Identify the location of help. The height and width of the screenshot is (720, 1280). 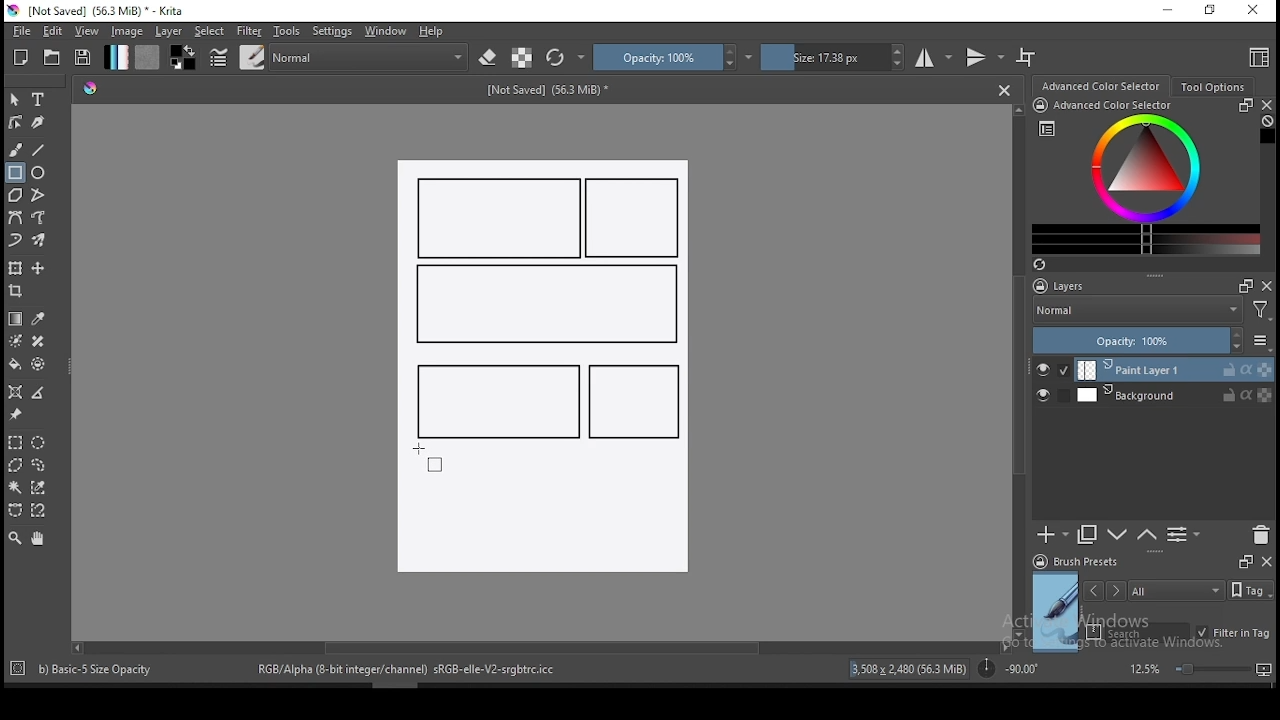
(435, 32).